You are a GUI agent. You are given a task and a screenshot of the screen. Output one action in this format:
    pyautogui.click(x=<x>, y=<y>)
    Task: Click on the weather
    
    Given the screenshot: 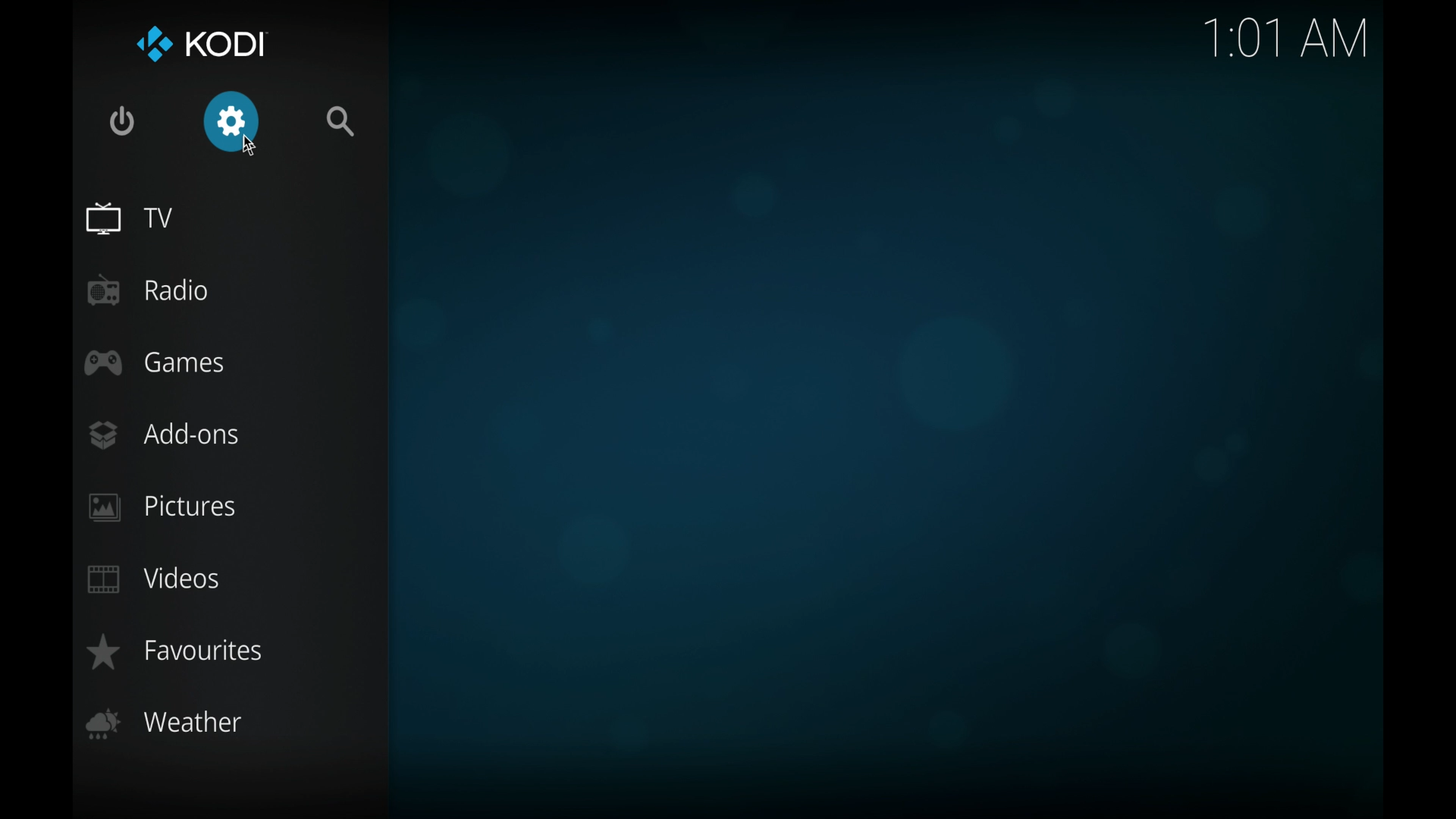 What is the action you would take?
    pyautogui.click(x=165, y=722)
    